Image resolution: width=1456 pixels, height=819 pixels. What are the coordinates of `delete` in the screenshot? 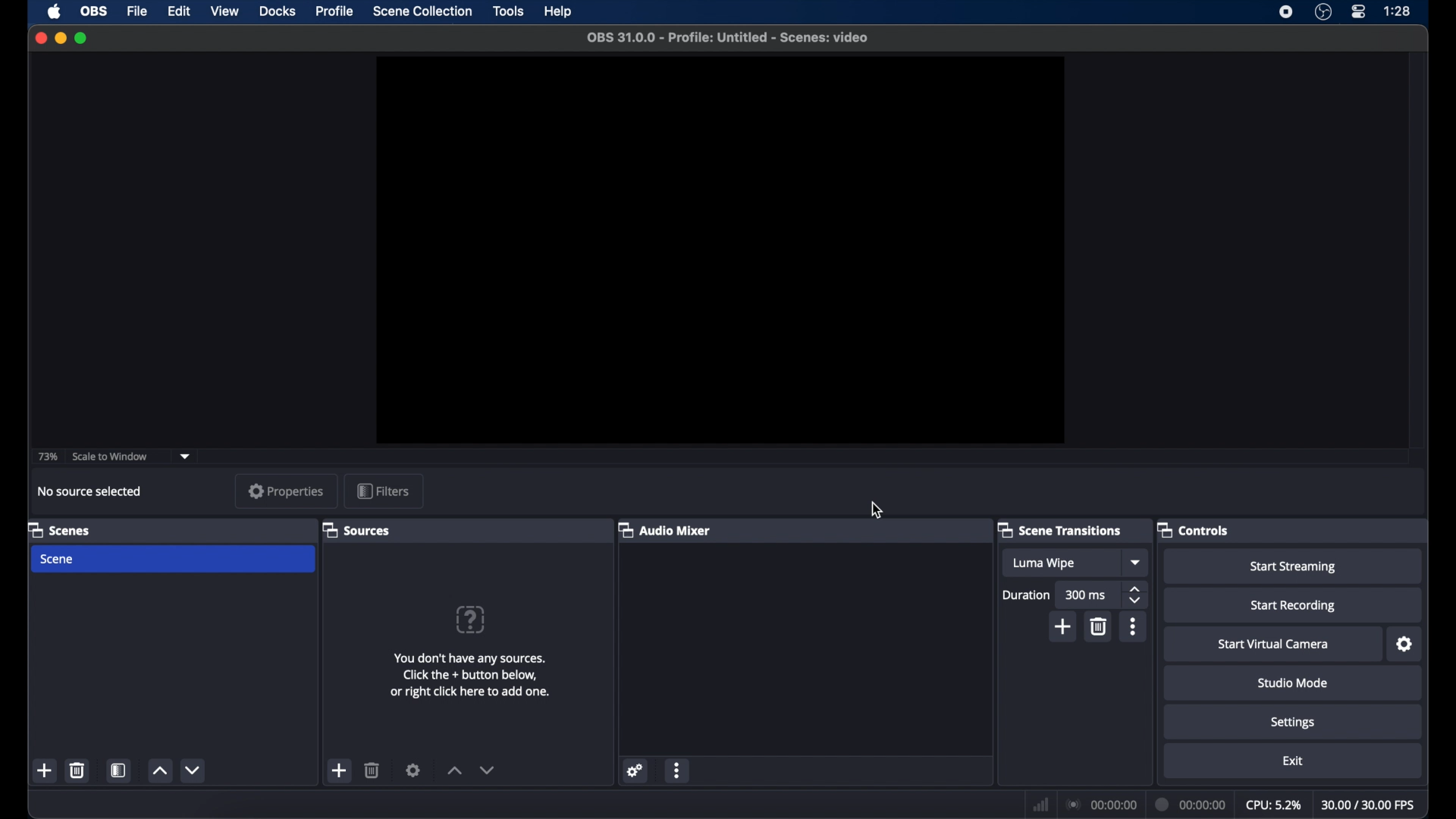 It's located at (1100, 627).